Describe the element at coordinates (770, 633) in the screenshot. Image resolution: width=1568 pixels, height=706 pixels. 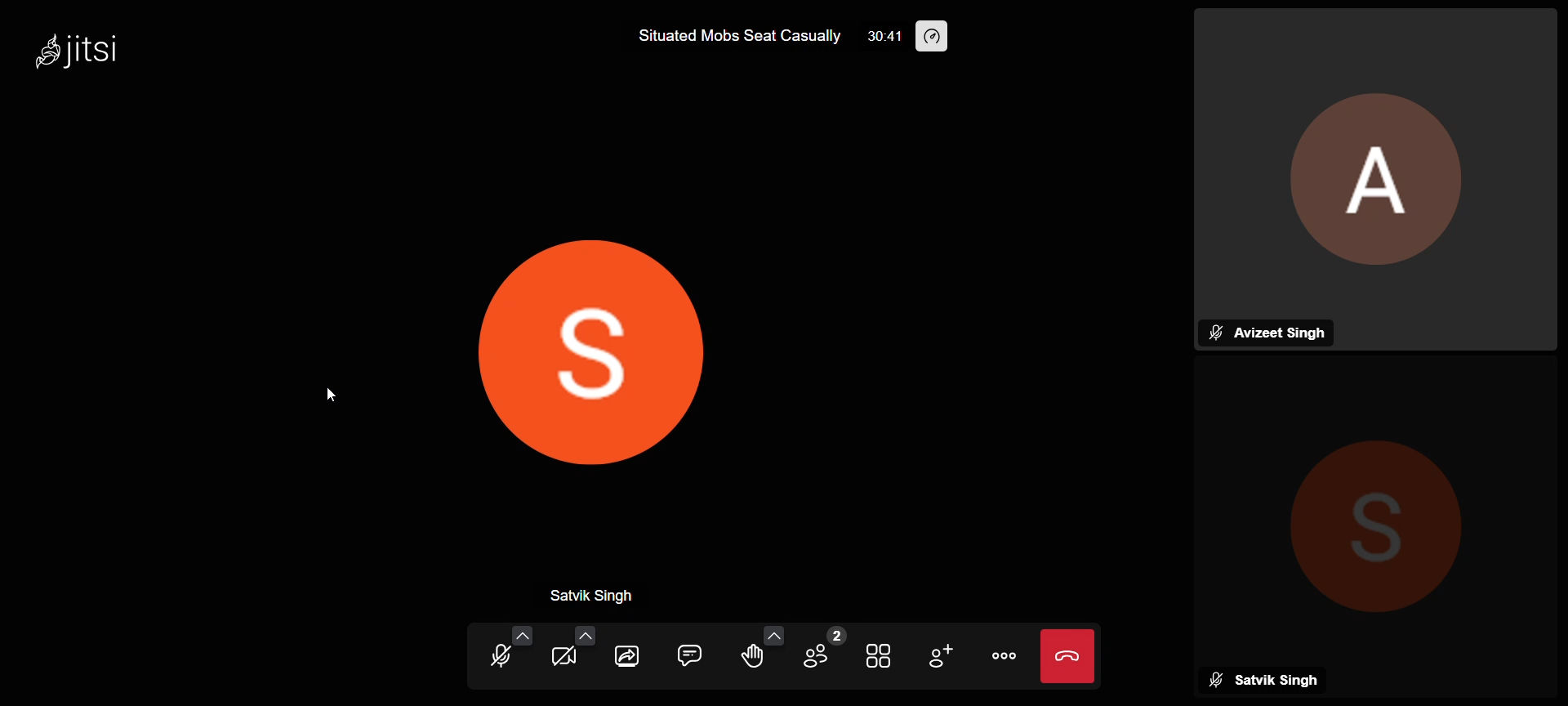
I see `more reaction option` at that location.